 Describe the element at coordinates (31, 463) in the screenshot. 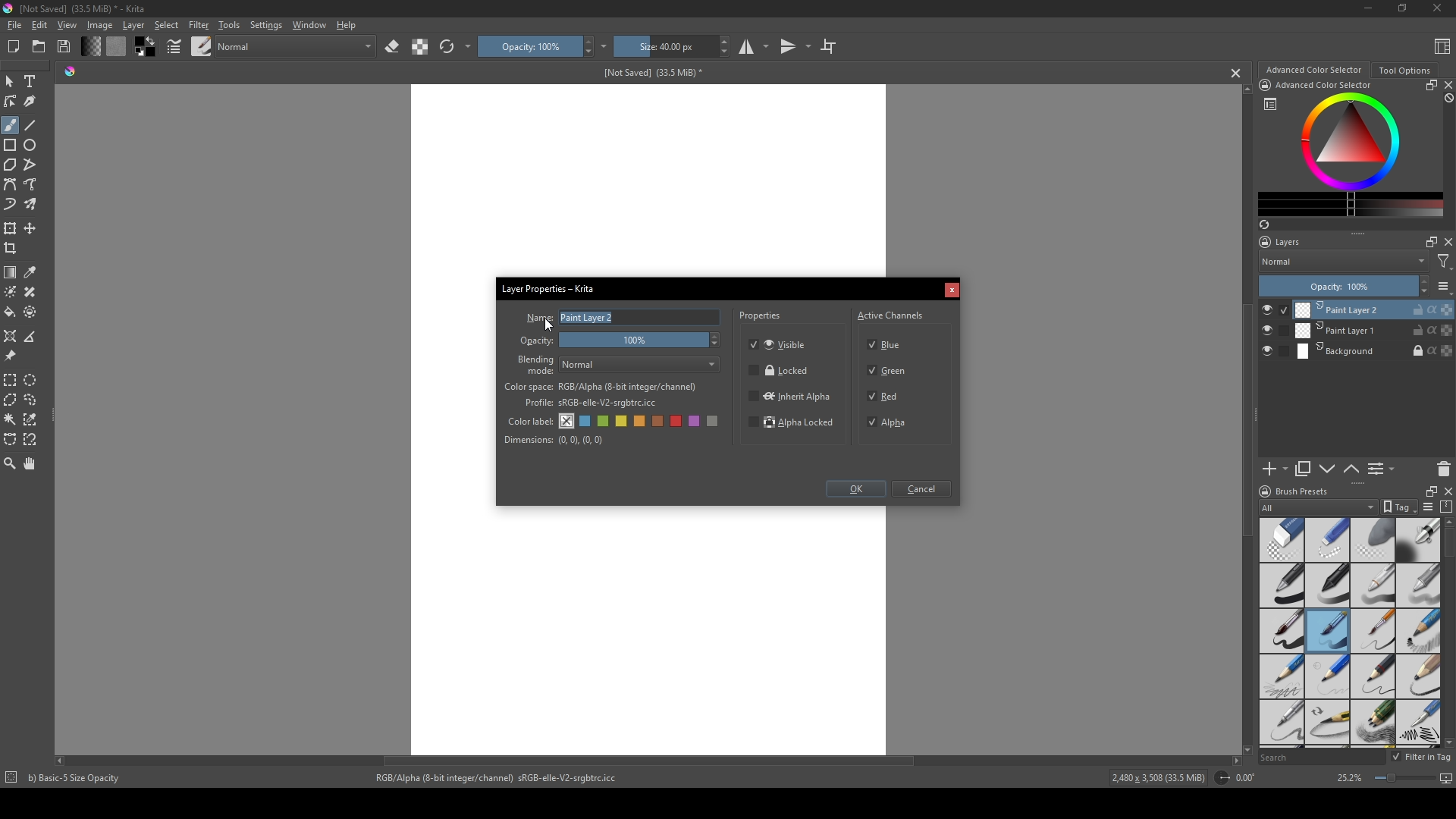

I see `pan` at that location.